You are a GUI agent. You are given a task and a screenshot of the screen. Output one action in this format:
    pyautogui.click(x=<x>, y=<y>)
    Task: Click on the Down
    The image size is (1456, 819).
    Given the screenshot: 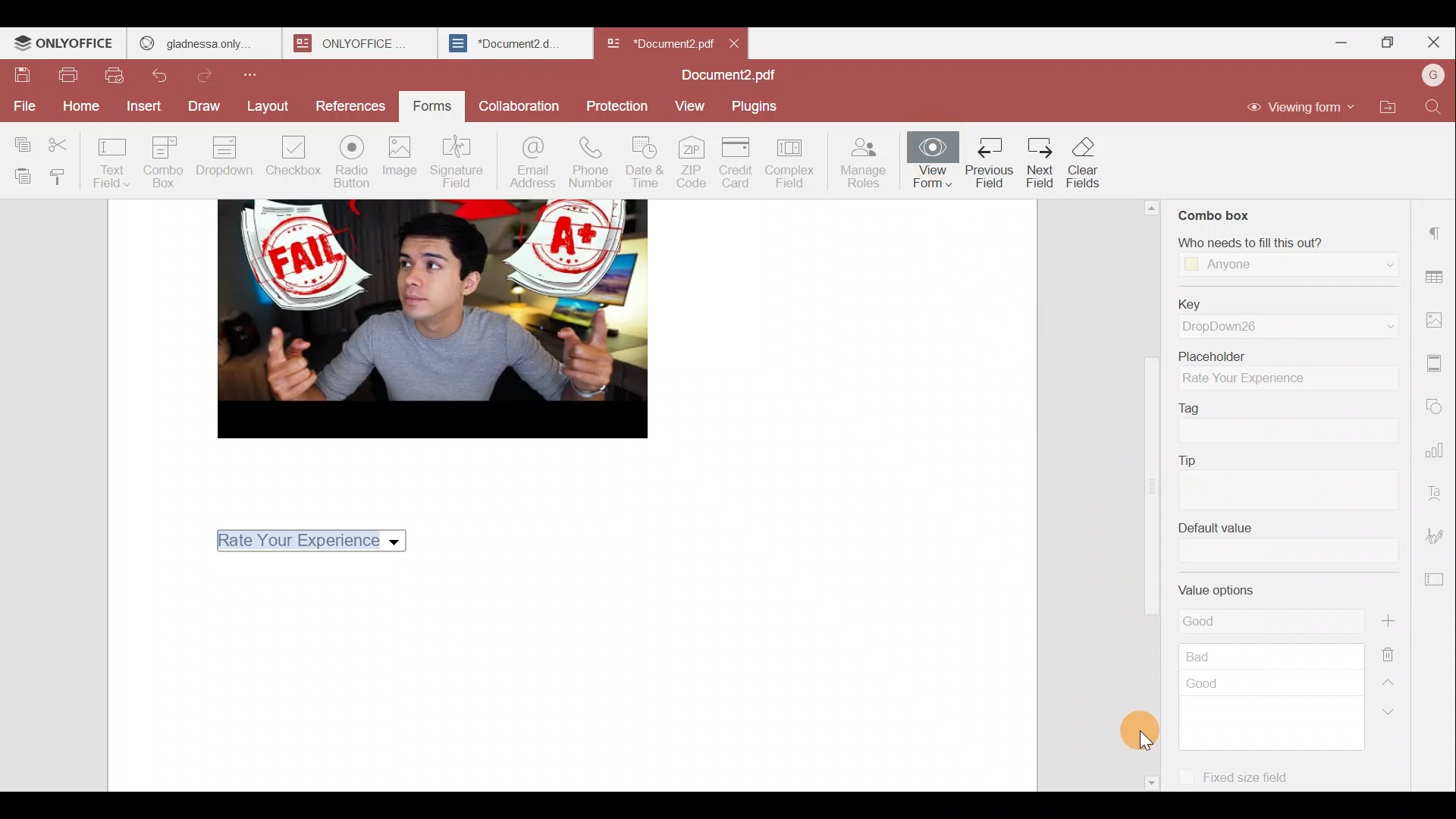 What is the action you would take?
    pyautogui.click(x=1395, y=718)
    